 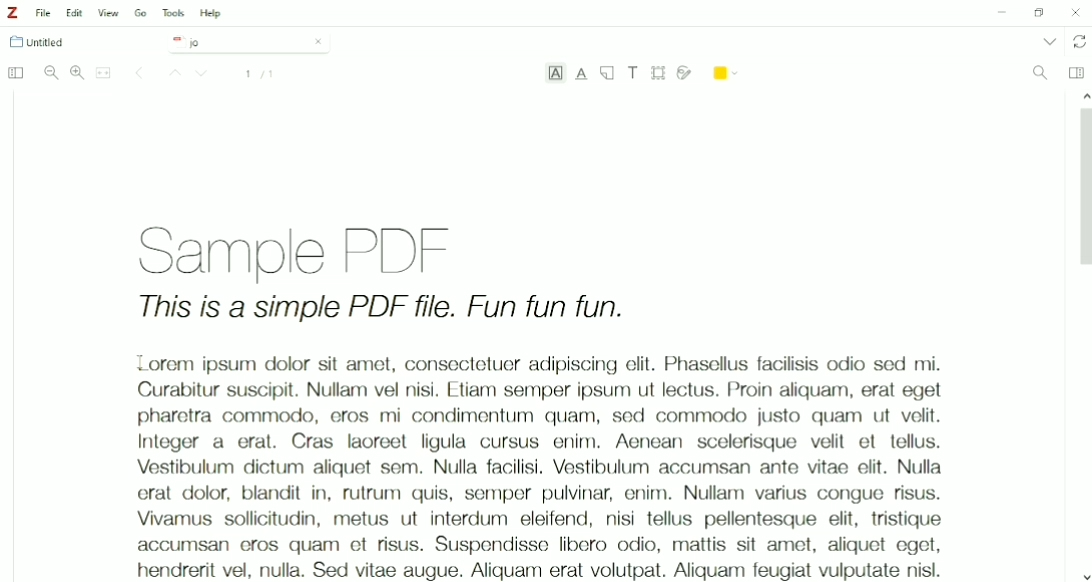 What do you see at coordinates (174, 41) in the screenshot?
I see `pdf logo` at bounding box center [174, 41].